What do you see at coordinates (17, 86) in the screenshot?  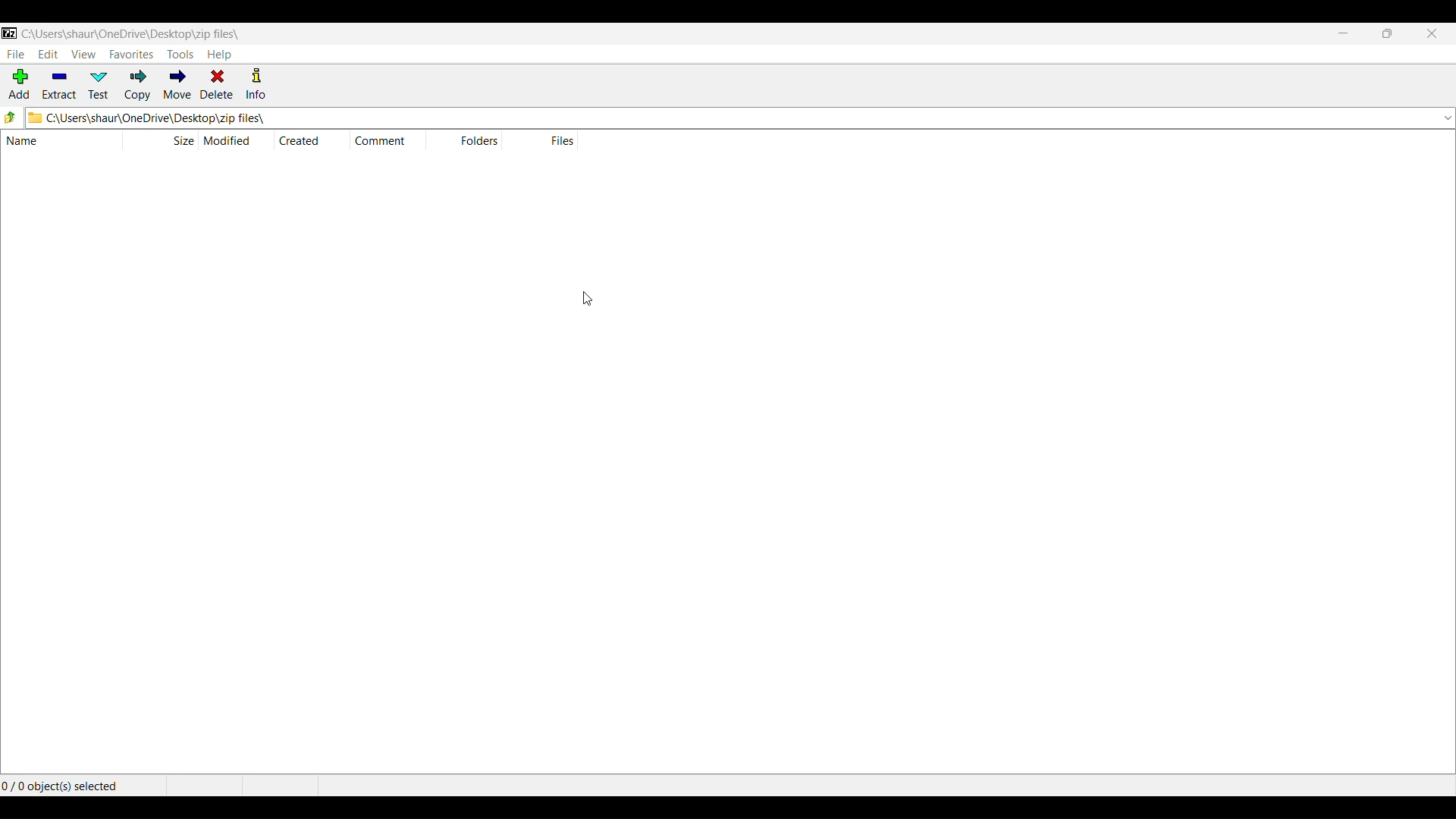 I see `ADD` at bounding box center [17, 86].